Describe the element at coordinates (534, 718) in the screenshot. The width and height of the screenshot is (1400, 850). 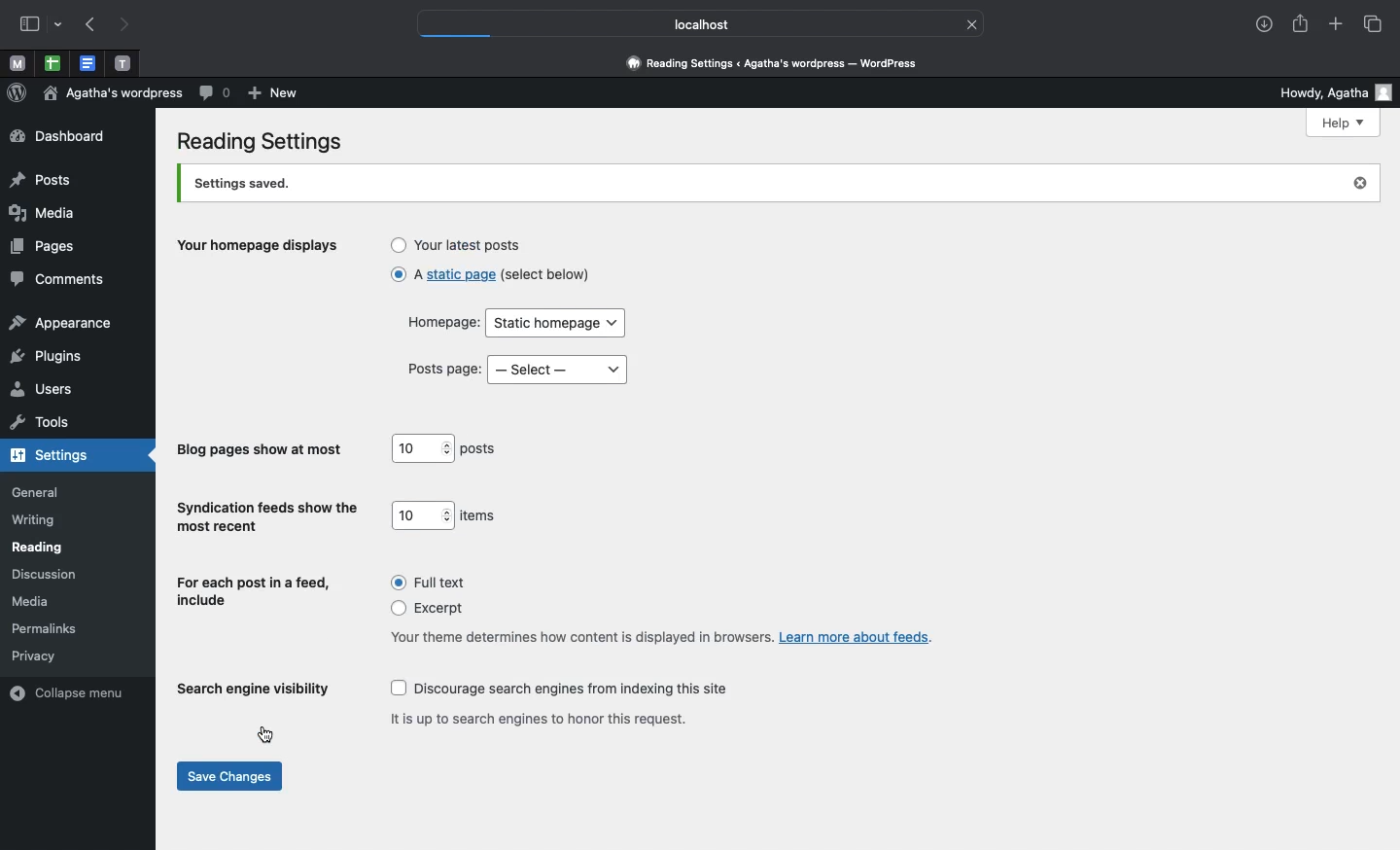
I see `it is up to search engines to honor this request` at that location.